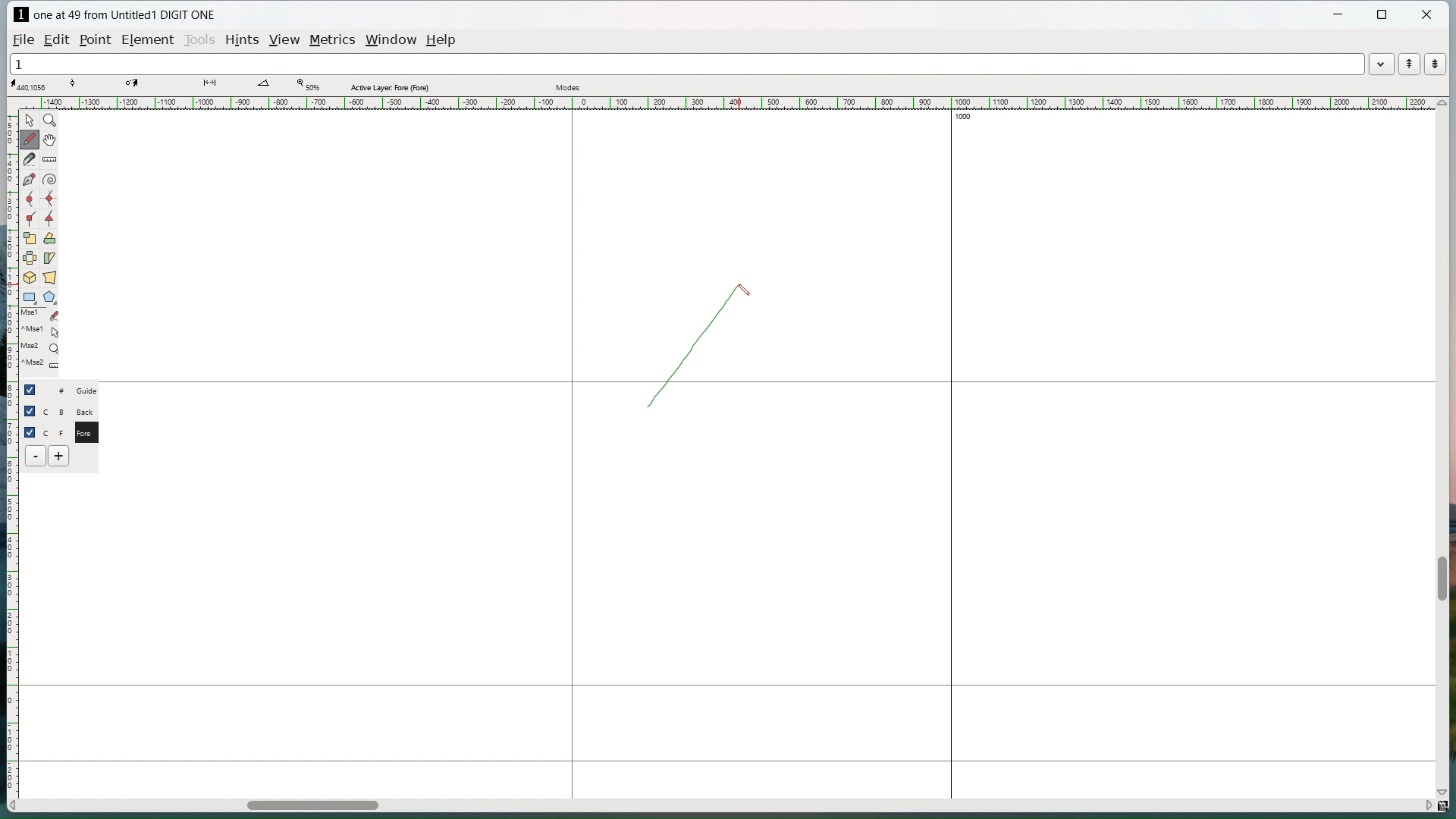  Describe the element at coordinates (1409, 64) in the screenshot. I see `show the previous word in the word list` at that location.